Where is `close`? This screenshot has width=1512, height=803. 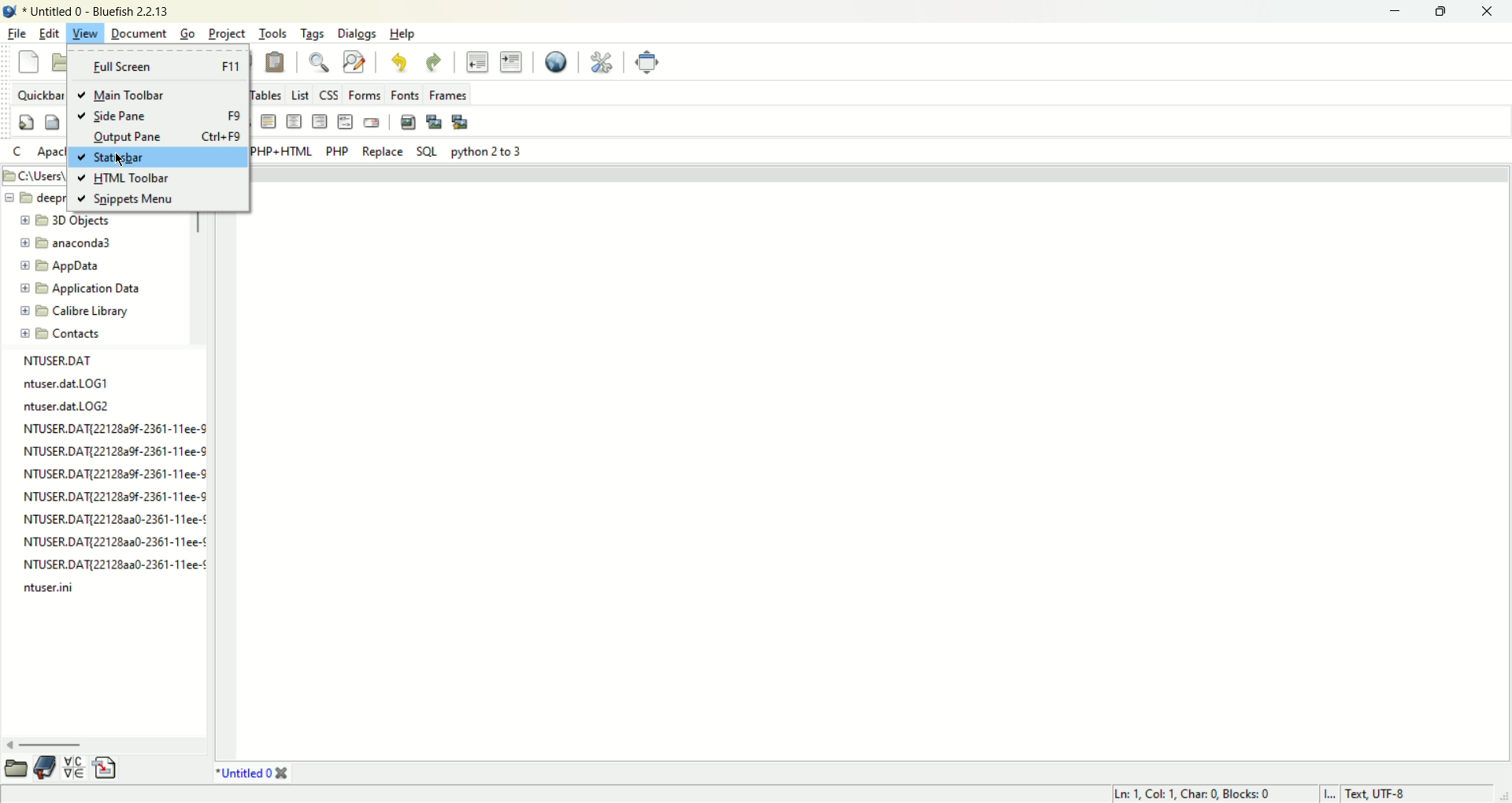
close is located at coordinates (1492, 9).